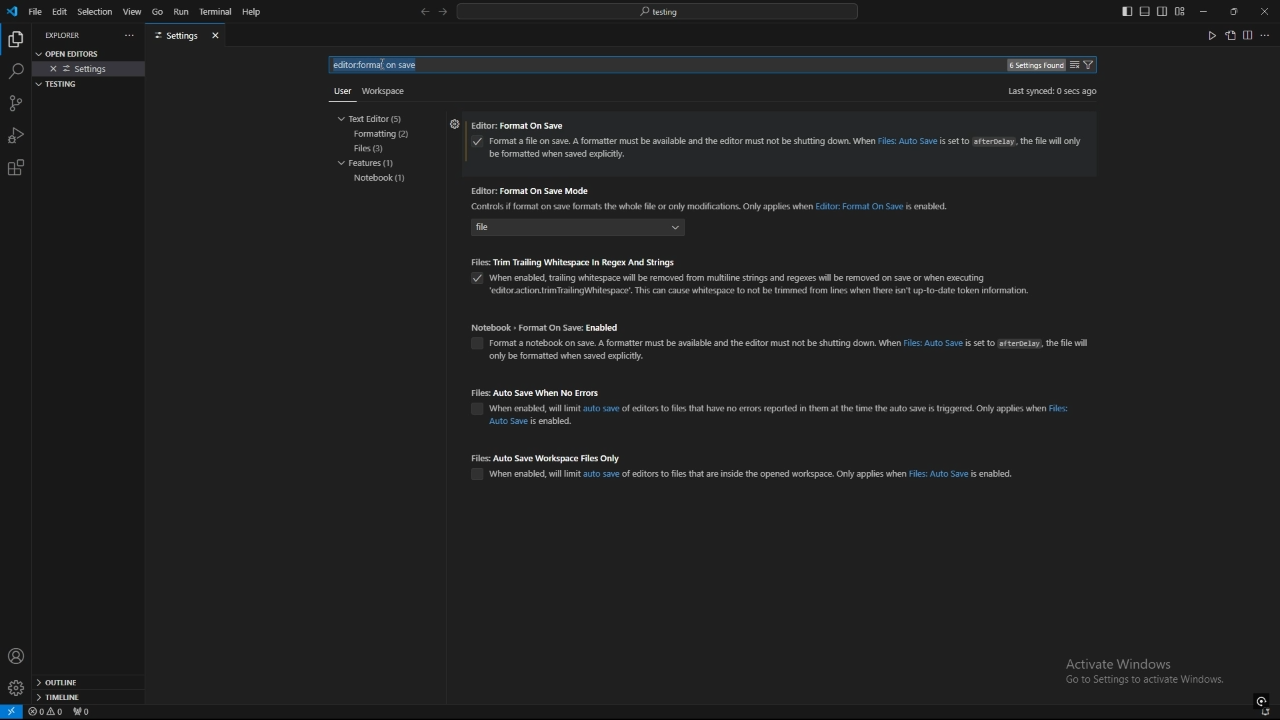 This screenshot has width=1280, height=720. I want to click on editor format on save, so click(778, 127).